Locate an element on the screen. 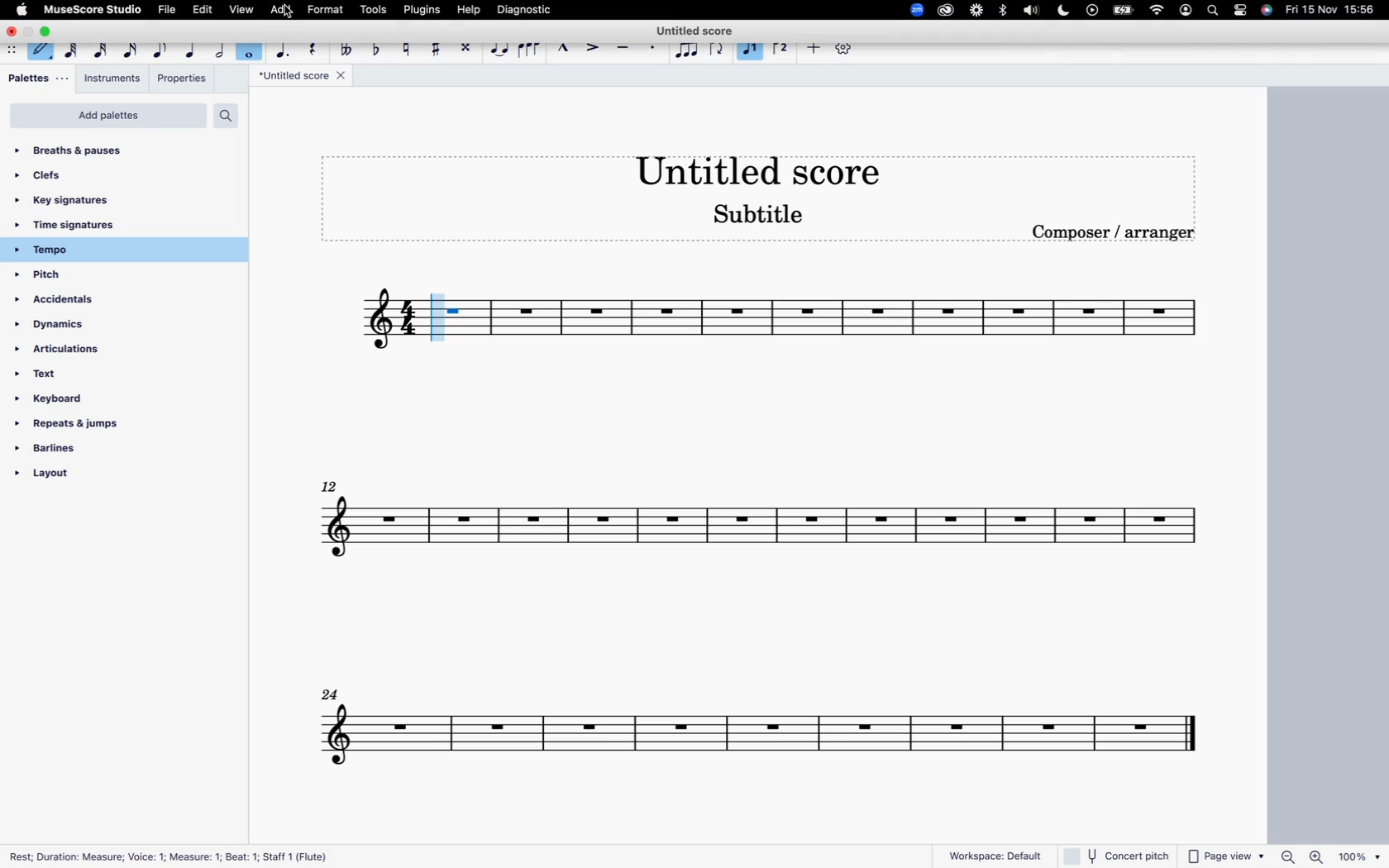 This screenshot has width=1389, height=868. flip direction is located at coordinates (717, 50).